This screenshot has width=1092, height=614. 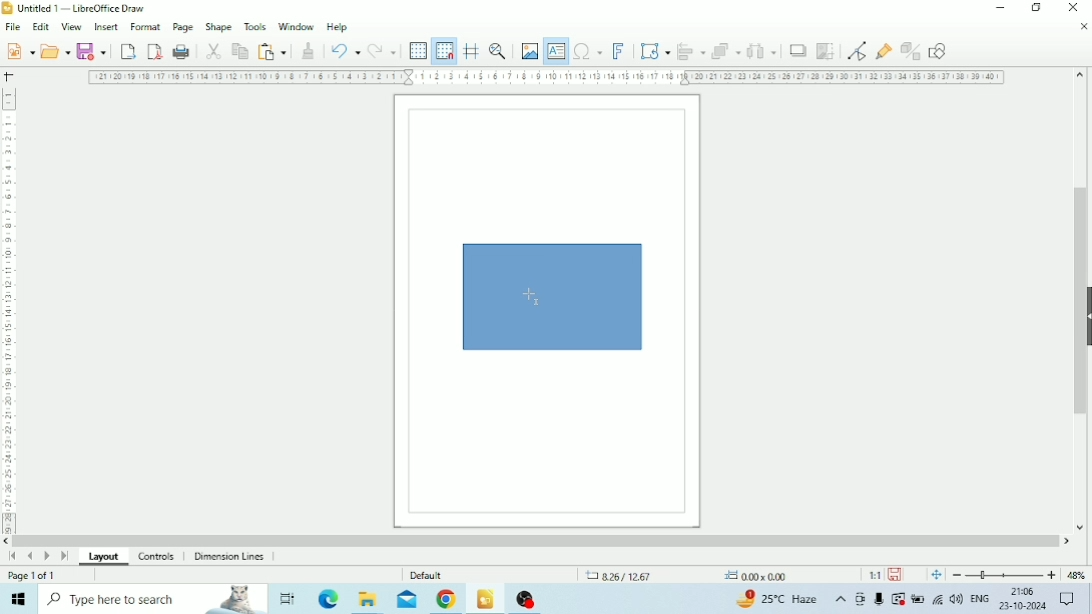 I want to click on Microsoft Edge, so click(x=327, y=600).